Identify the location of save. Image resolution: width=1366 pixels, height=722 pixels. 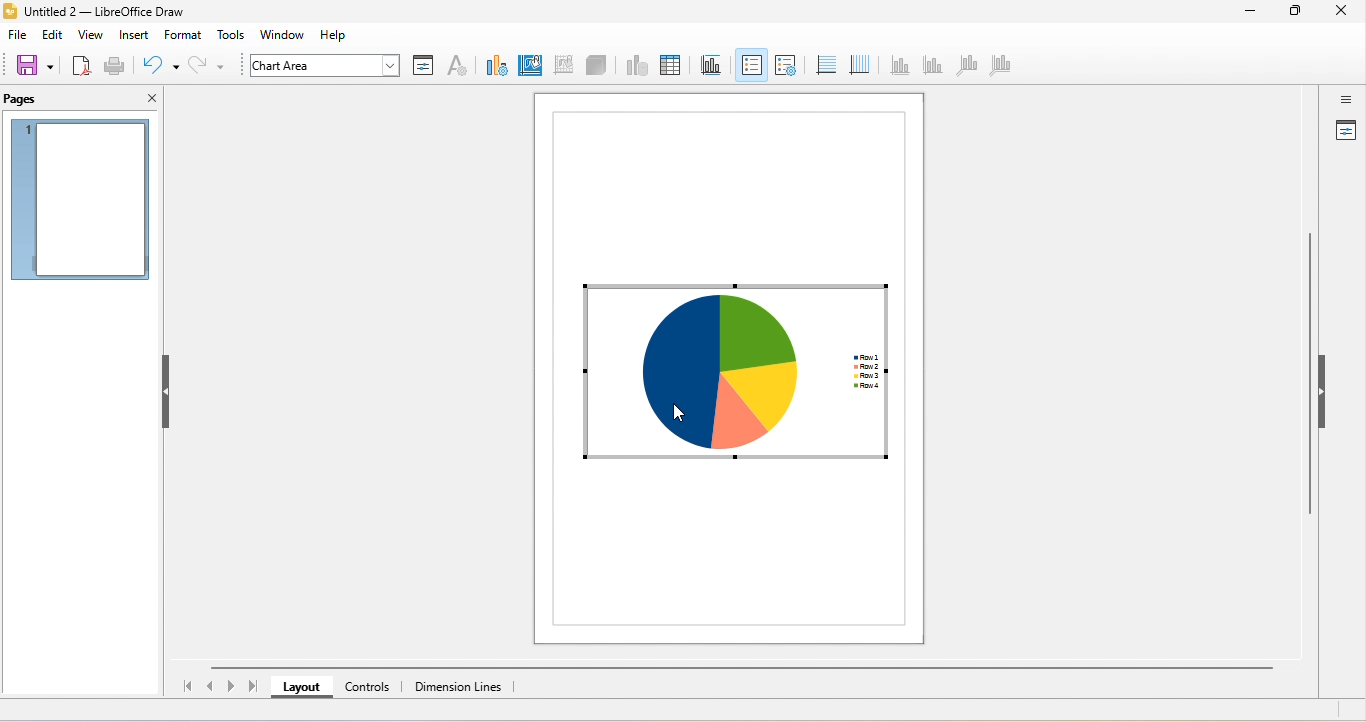
(34, 65).